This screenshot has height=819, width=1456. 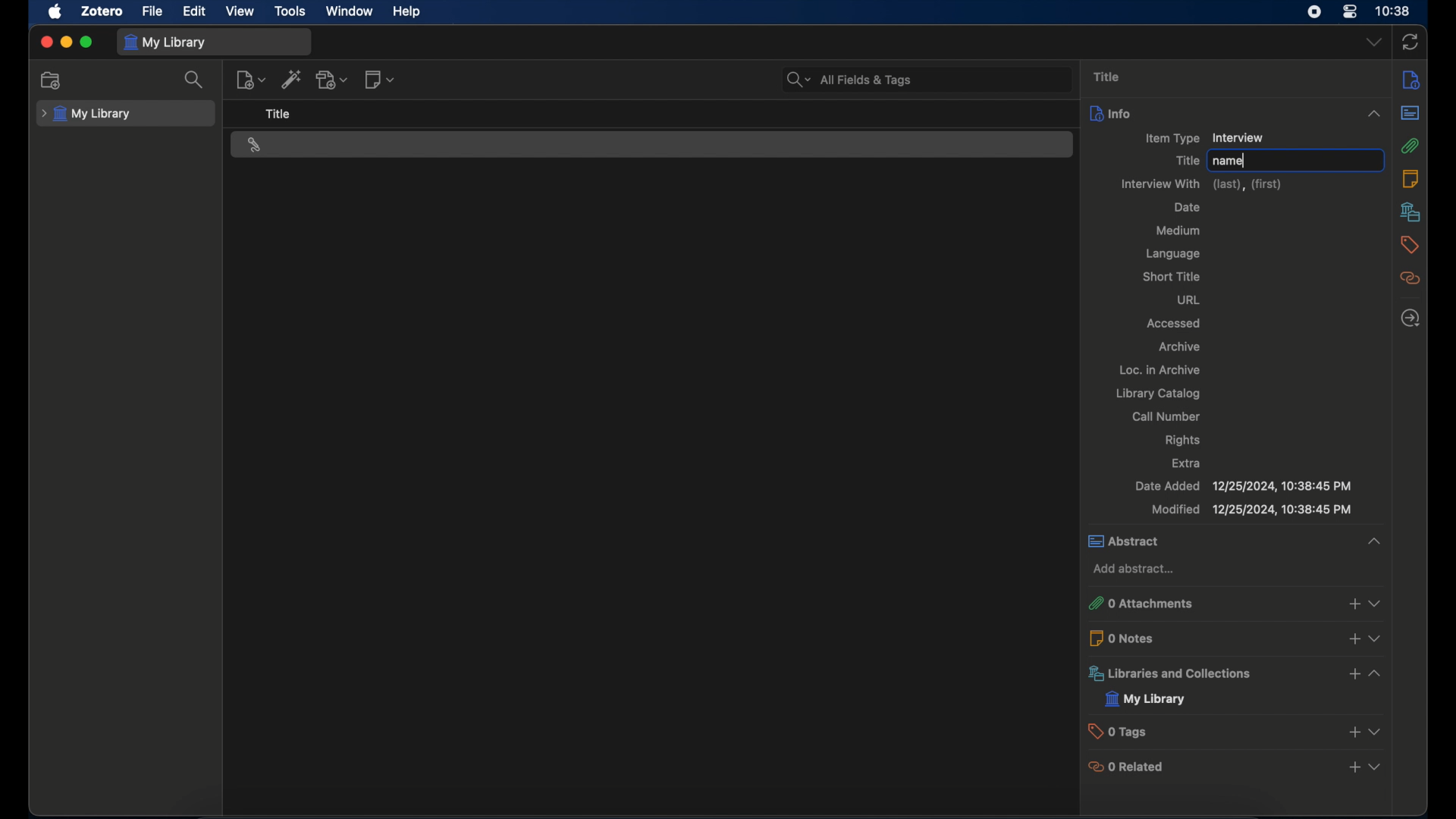 What do you see at coordinates (86, 42) in the screenshot?
I see `maximize` at bounding box center [86, 42].